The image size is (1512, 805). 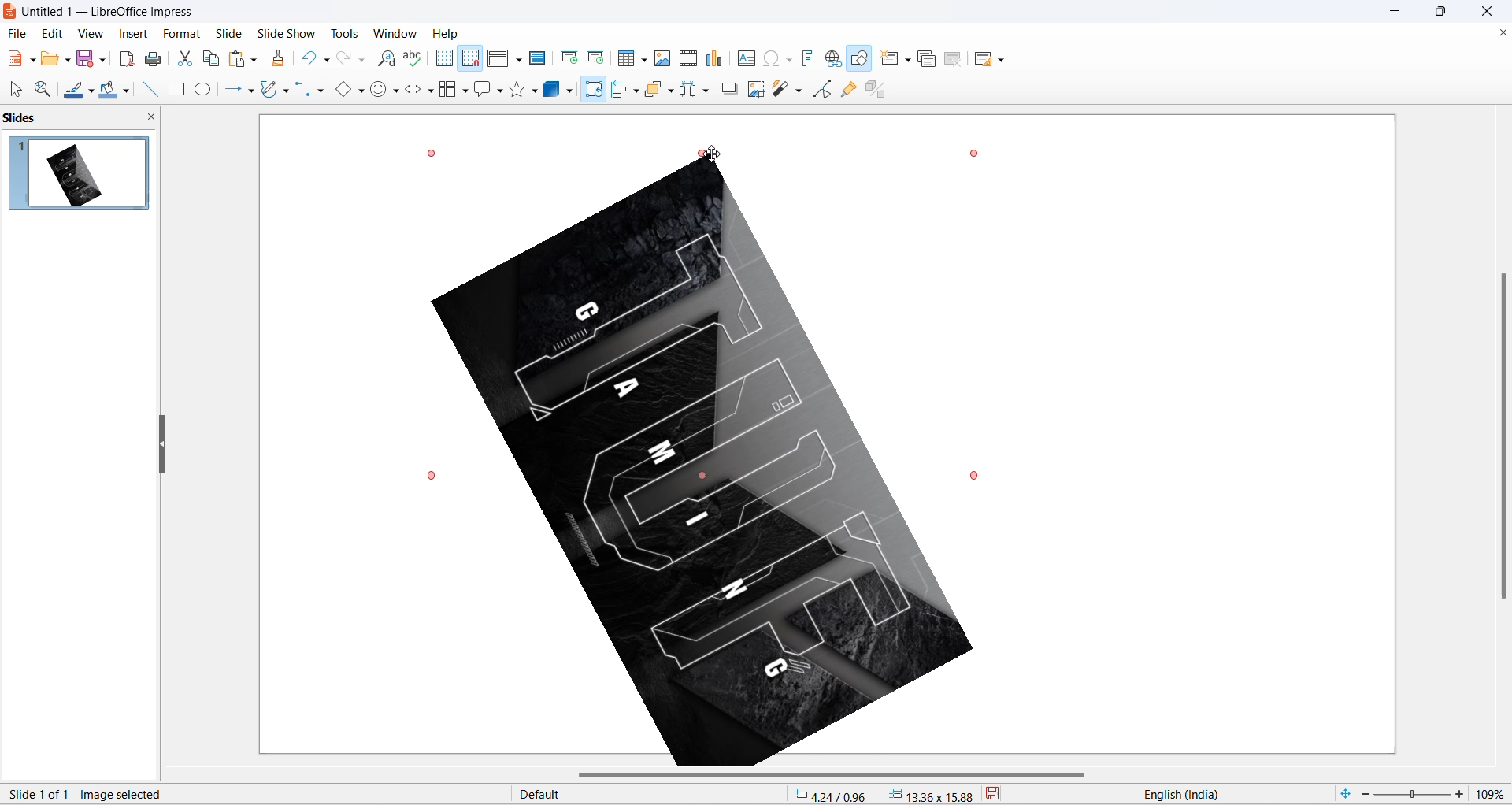 What do you see at coordinates (380, 92) in the screenshot?
I see `symbol shapes` at bounding box center [380, 92].